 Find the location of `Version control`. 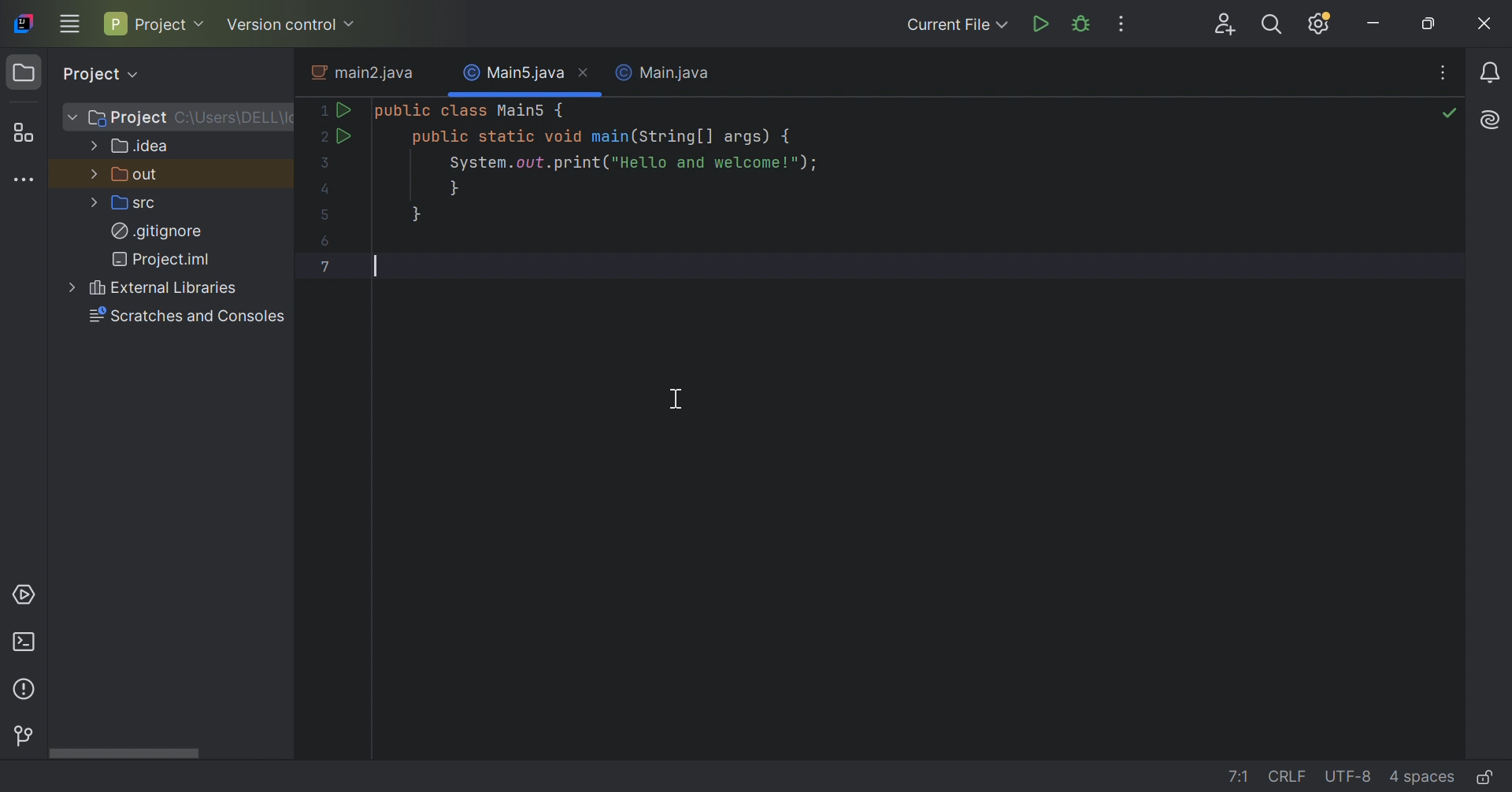

Version control is located at coordinates (22, 732).